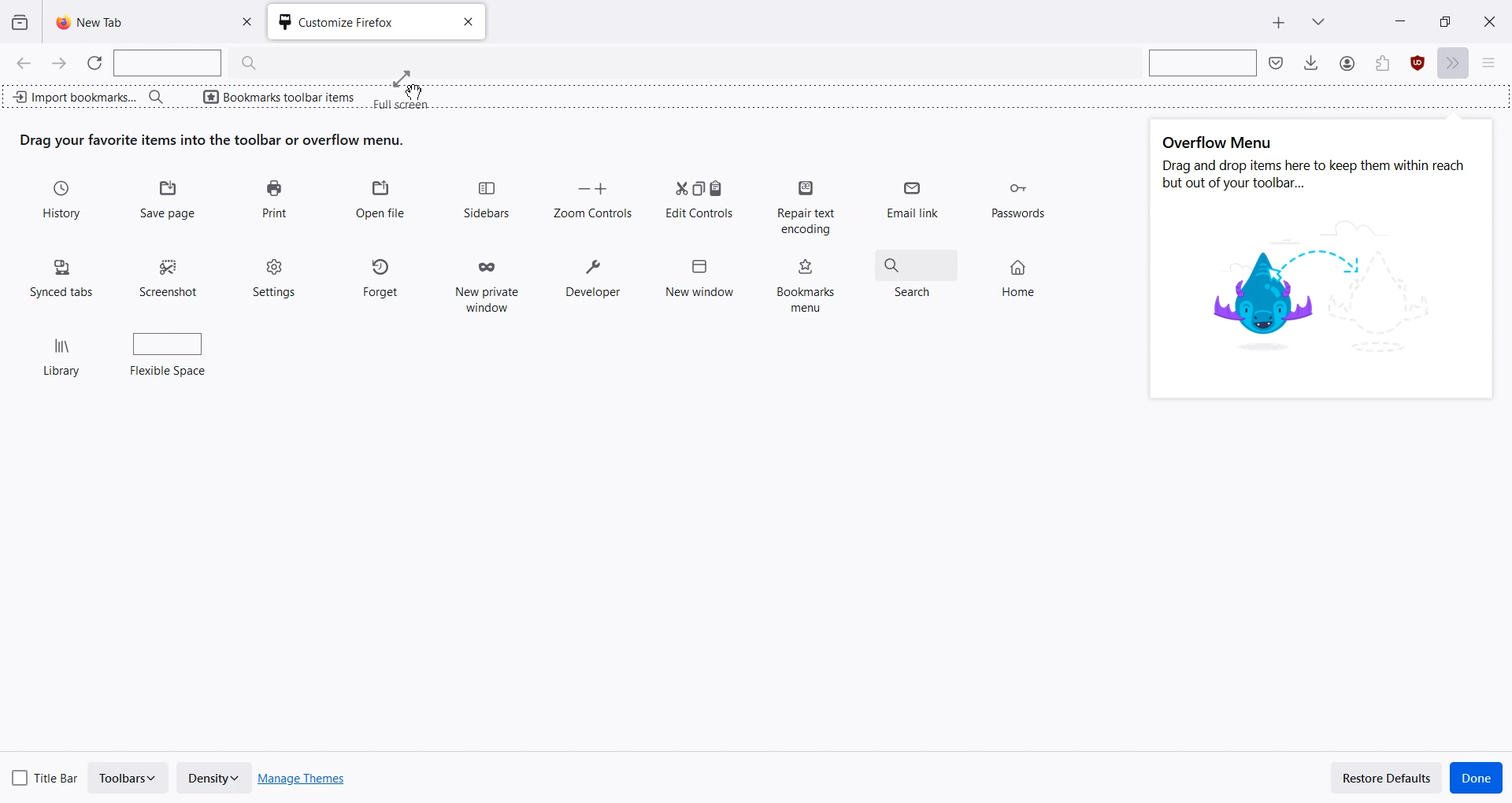 The width and height of the screenshot is (1512, 803). What do you see at coordinates (1200, 62) in the screenshot?
I see `Search bar` at bounding box center [1200, 62].